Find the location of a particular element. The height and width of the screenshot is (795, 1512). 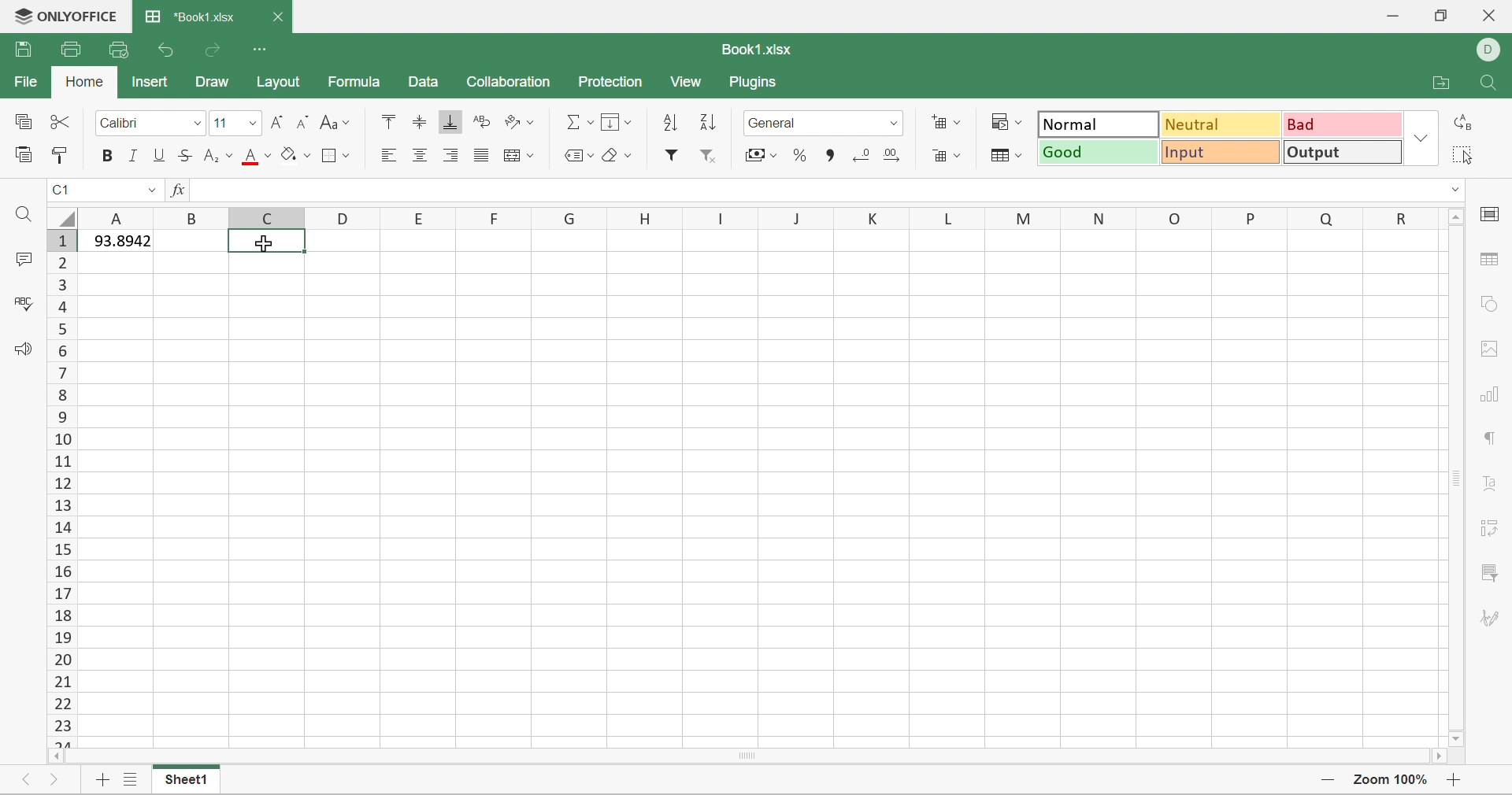

Filter is located at coordinates (676, 156).